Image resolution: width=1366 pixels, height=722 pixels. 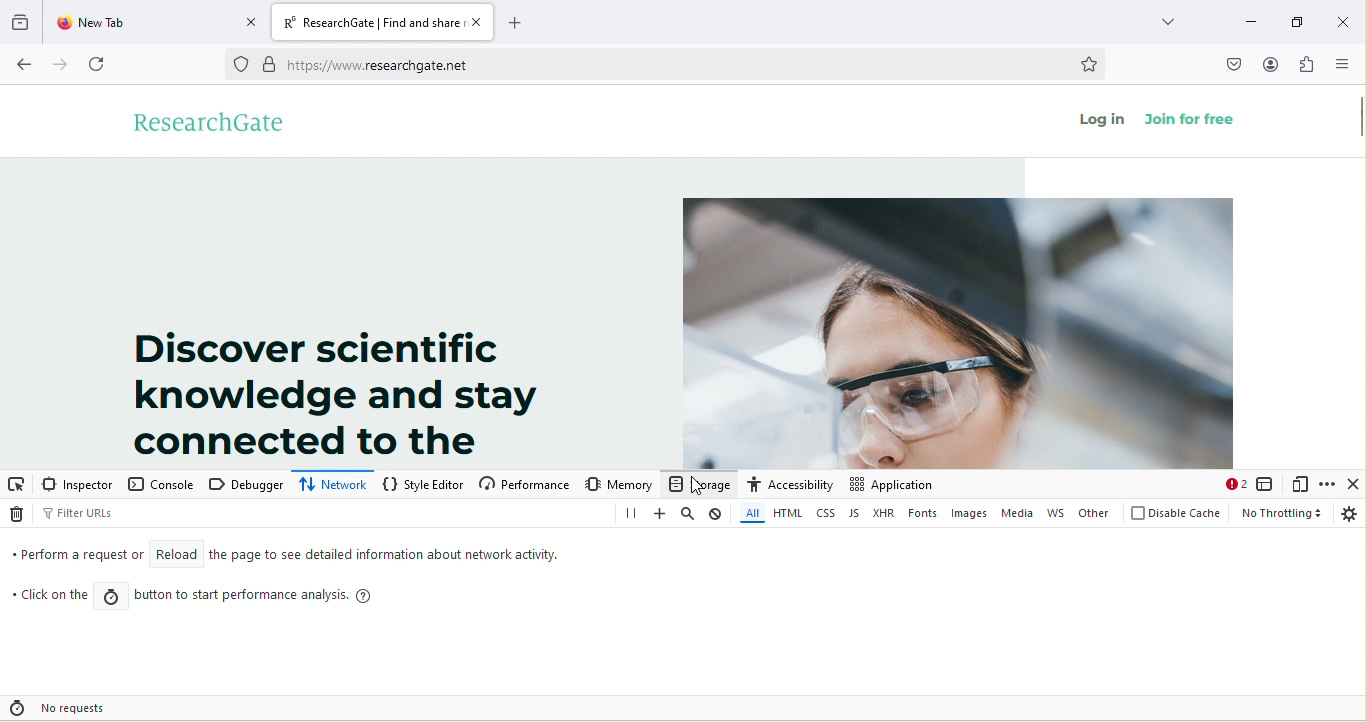 I want to click on settings, so click(x=1348, y=515).